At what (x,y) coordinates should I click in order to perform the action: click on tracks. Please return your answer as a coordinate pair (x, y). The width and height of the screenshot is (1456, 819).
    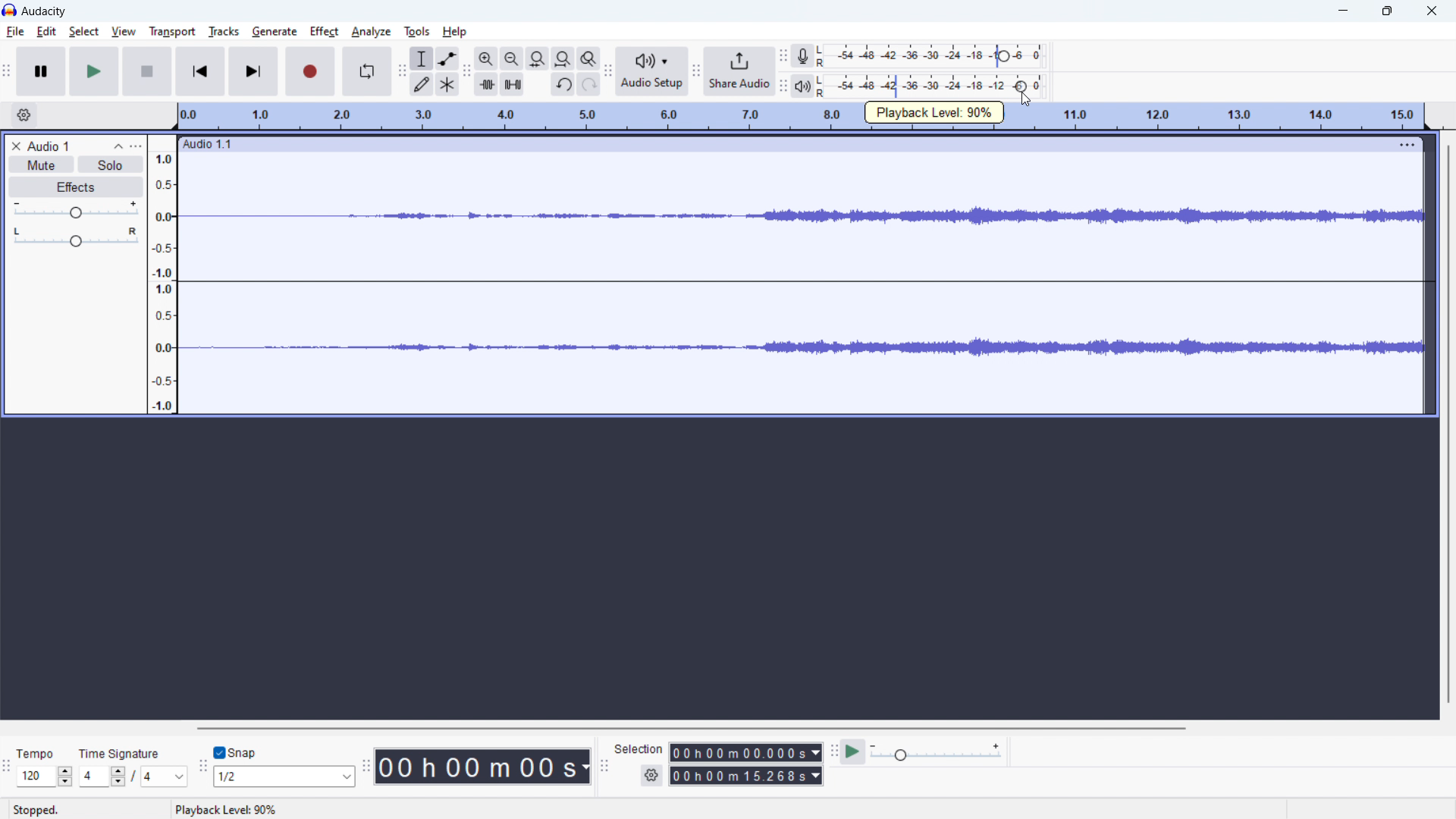
    Looking at the image, I should click on (224, 32).